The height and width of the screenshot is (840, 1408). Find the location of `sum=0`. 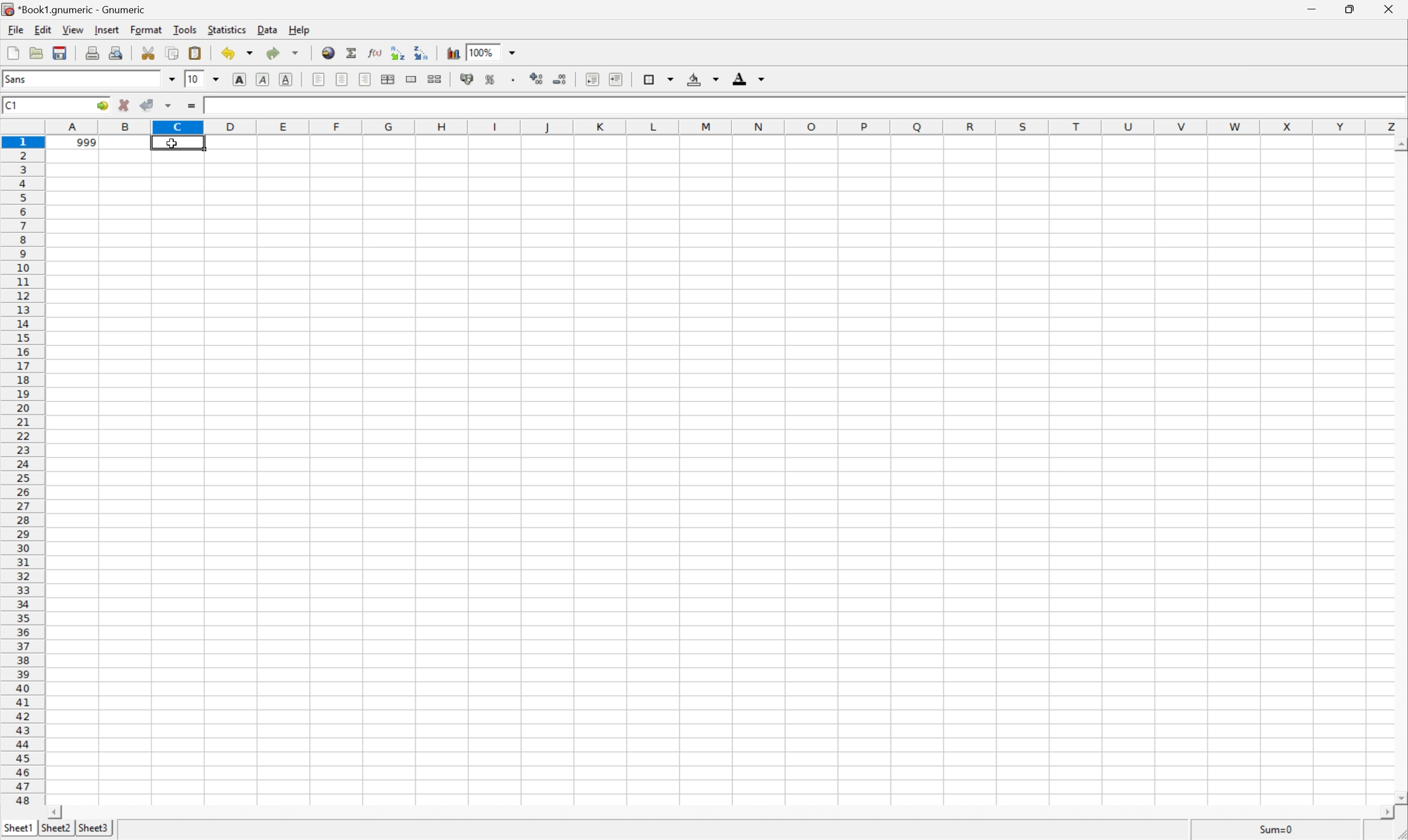

sum=0 is located at coordinates (1277, 828).